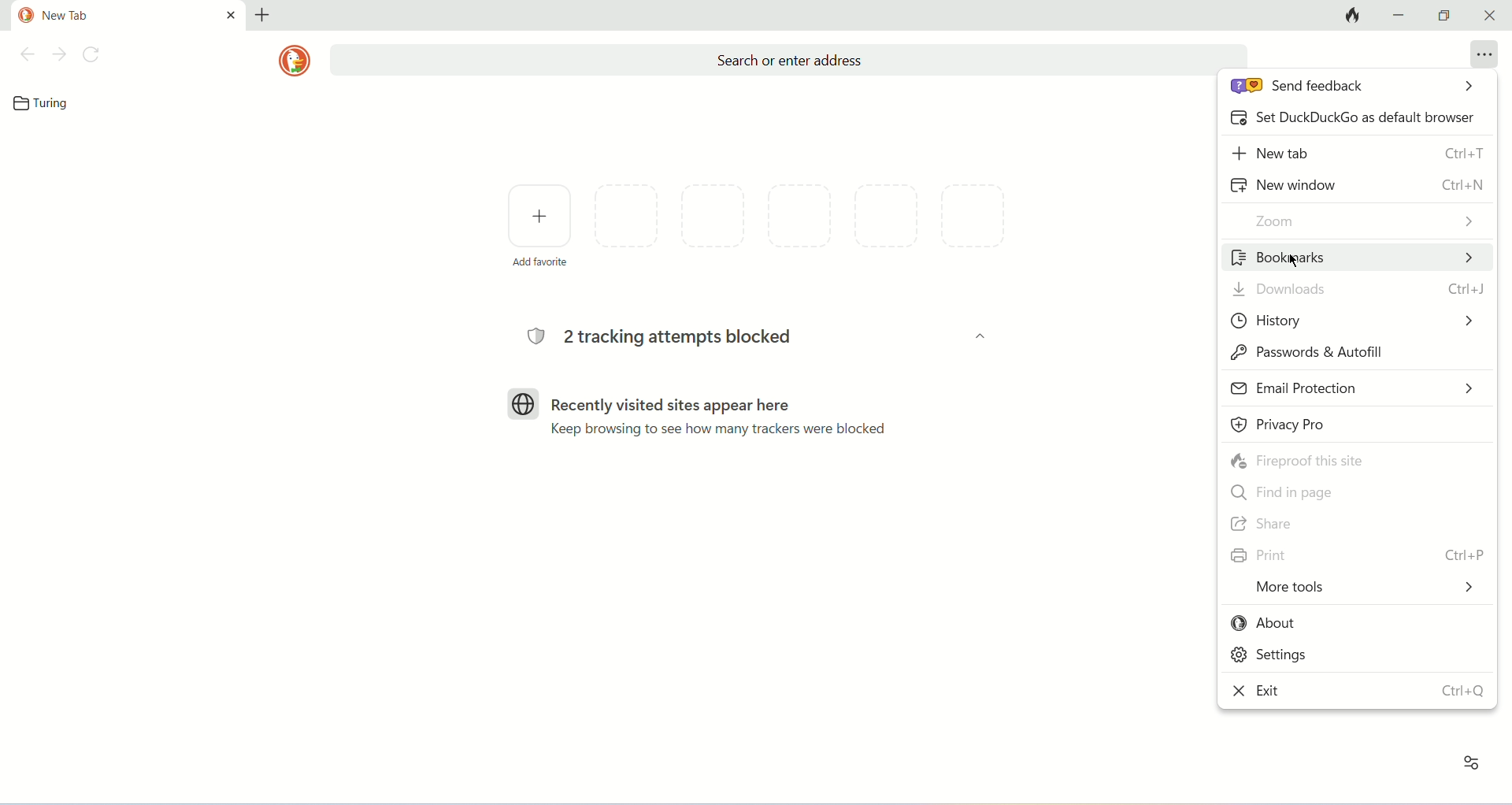 This screenshot has height=805, width=1512. Describe the element at coordinates (1355, 290) in the screenshot. I see `downloads` at that location.